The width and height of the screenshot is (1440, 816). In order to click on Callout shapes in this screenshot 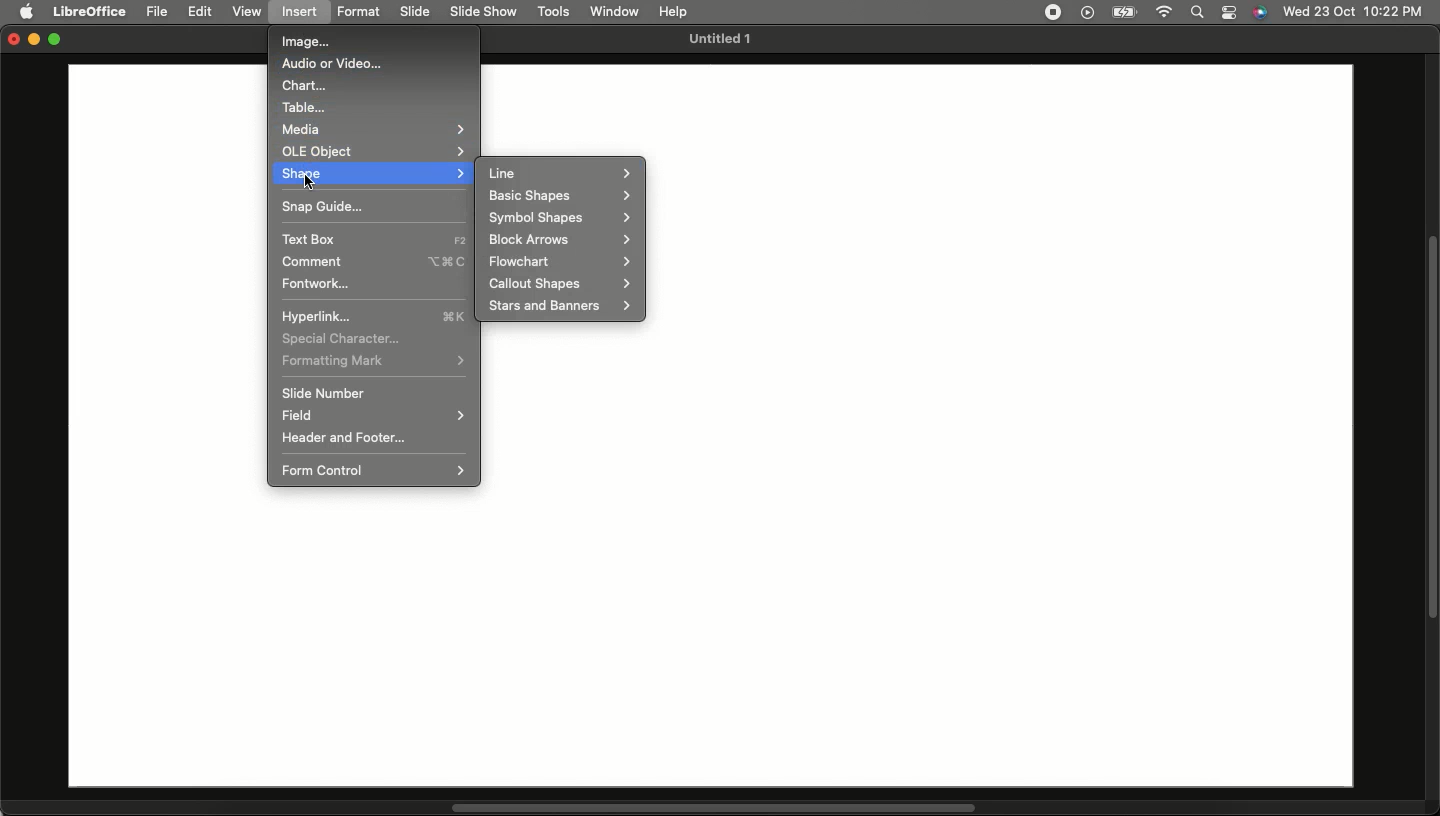, I will do `click(557, 284)`.